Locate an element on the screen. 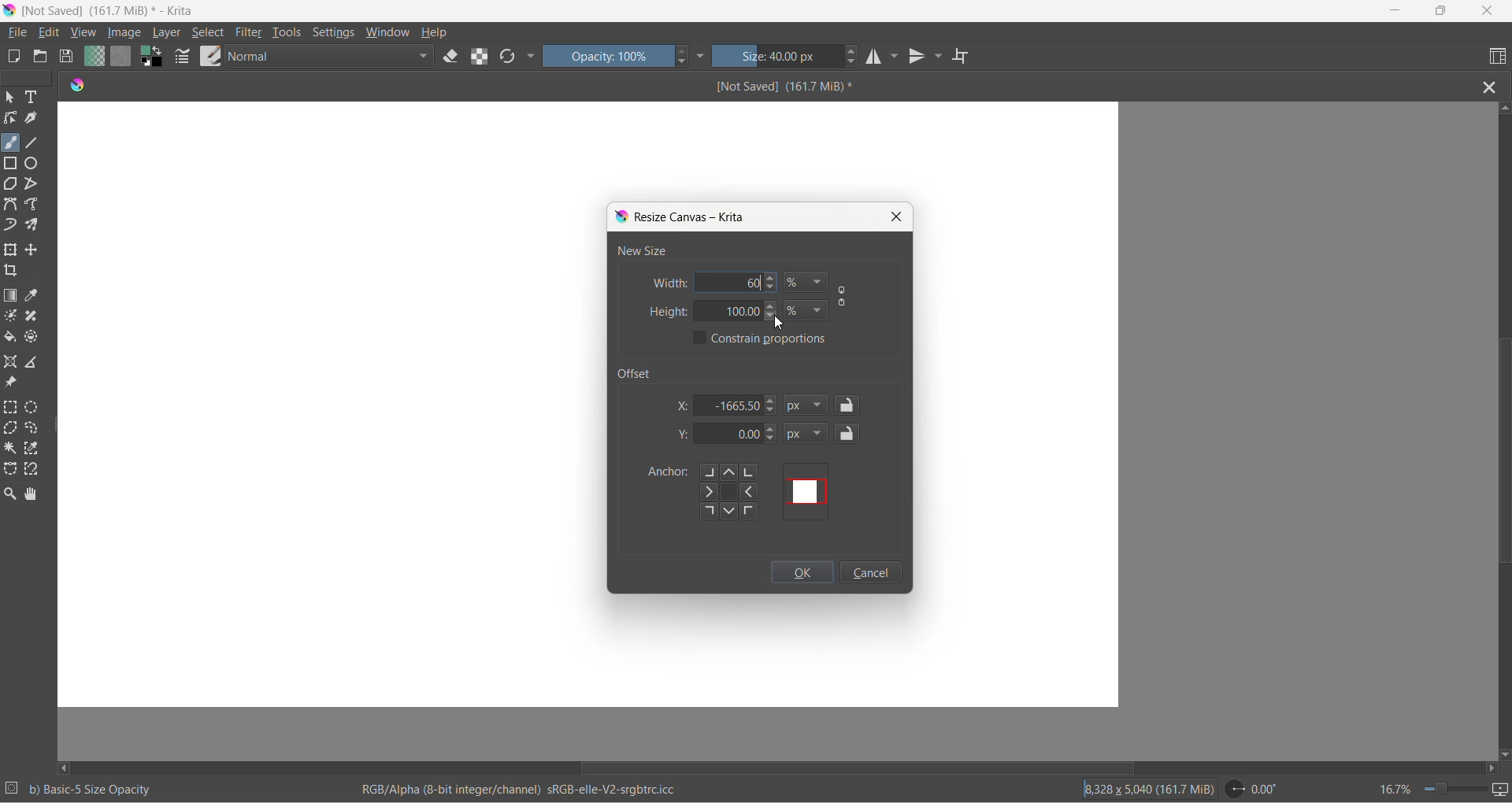 The width and height of the screenshot is (1512, 803). close file is located at coordinates (1494, 86).